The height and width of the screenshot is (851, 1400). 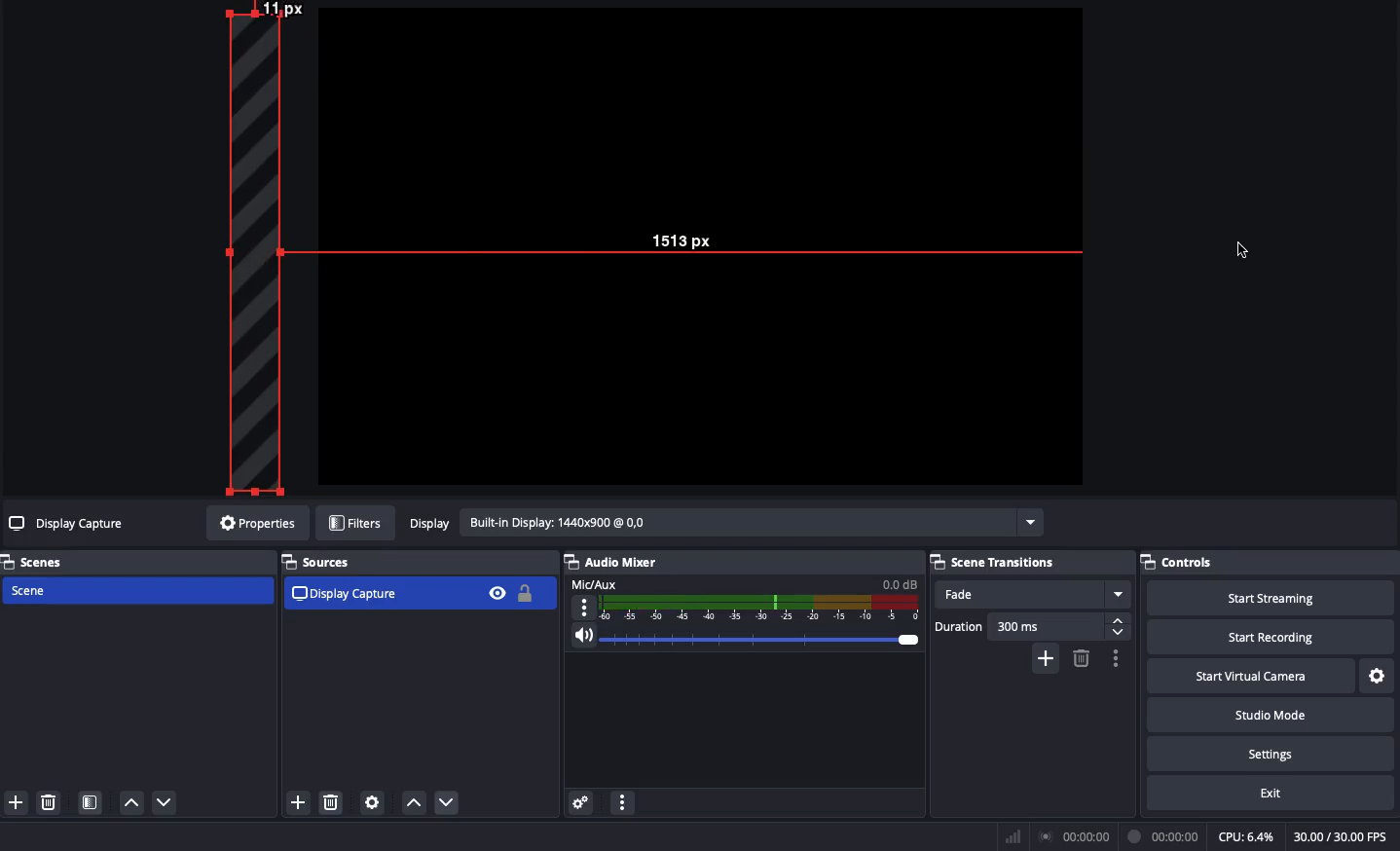 I want to click on Add, so click(x=1048, y=657).